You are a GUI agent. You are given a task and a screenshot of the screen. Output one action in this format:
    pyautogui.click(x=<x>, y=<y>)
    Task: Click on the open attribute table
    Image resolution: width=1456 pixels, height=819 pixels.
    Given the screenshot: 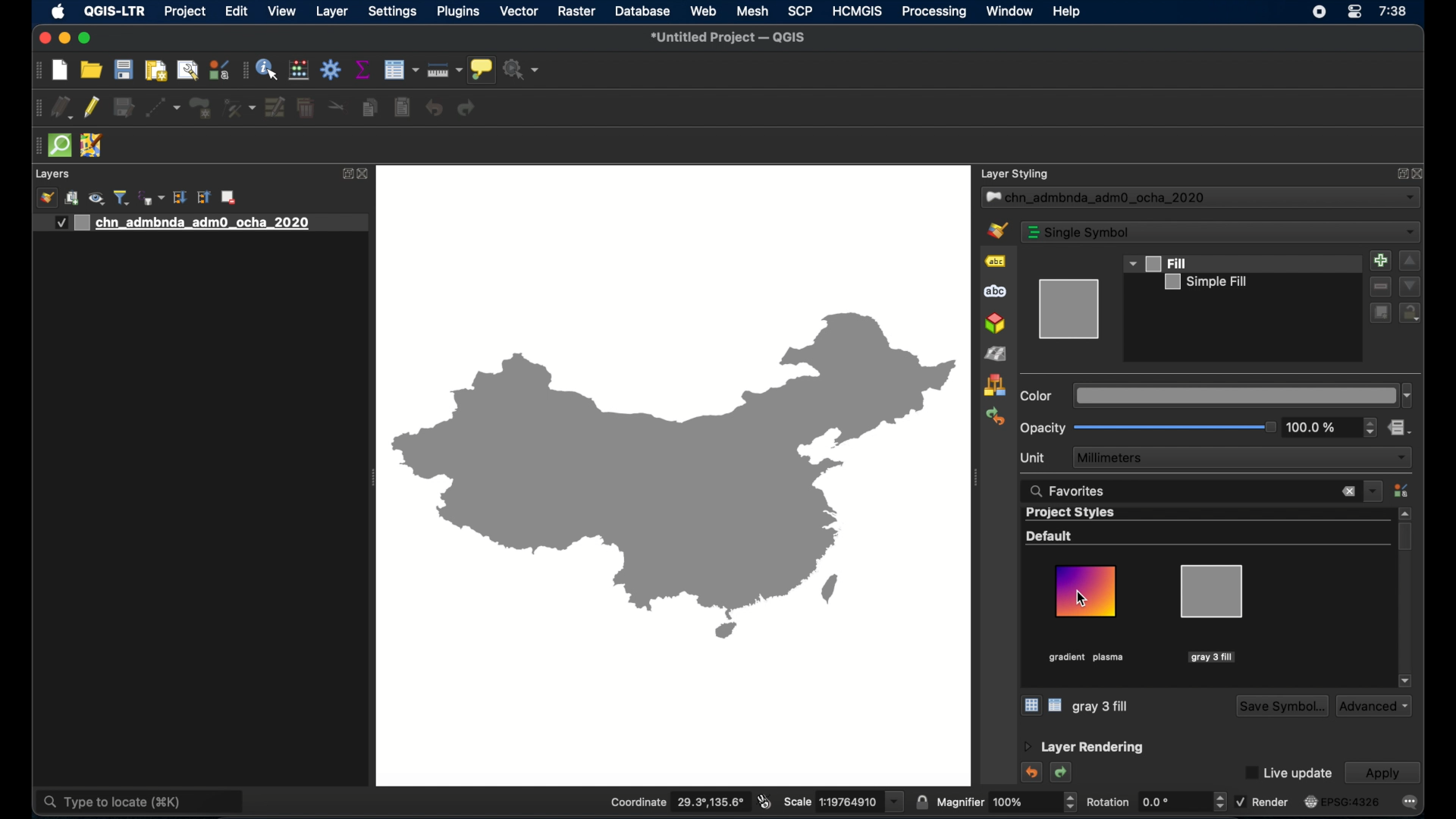 What is the action you would take?
    pyautogui.click(x=401, y=70)
    